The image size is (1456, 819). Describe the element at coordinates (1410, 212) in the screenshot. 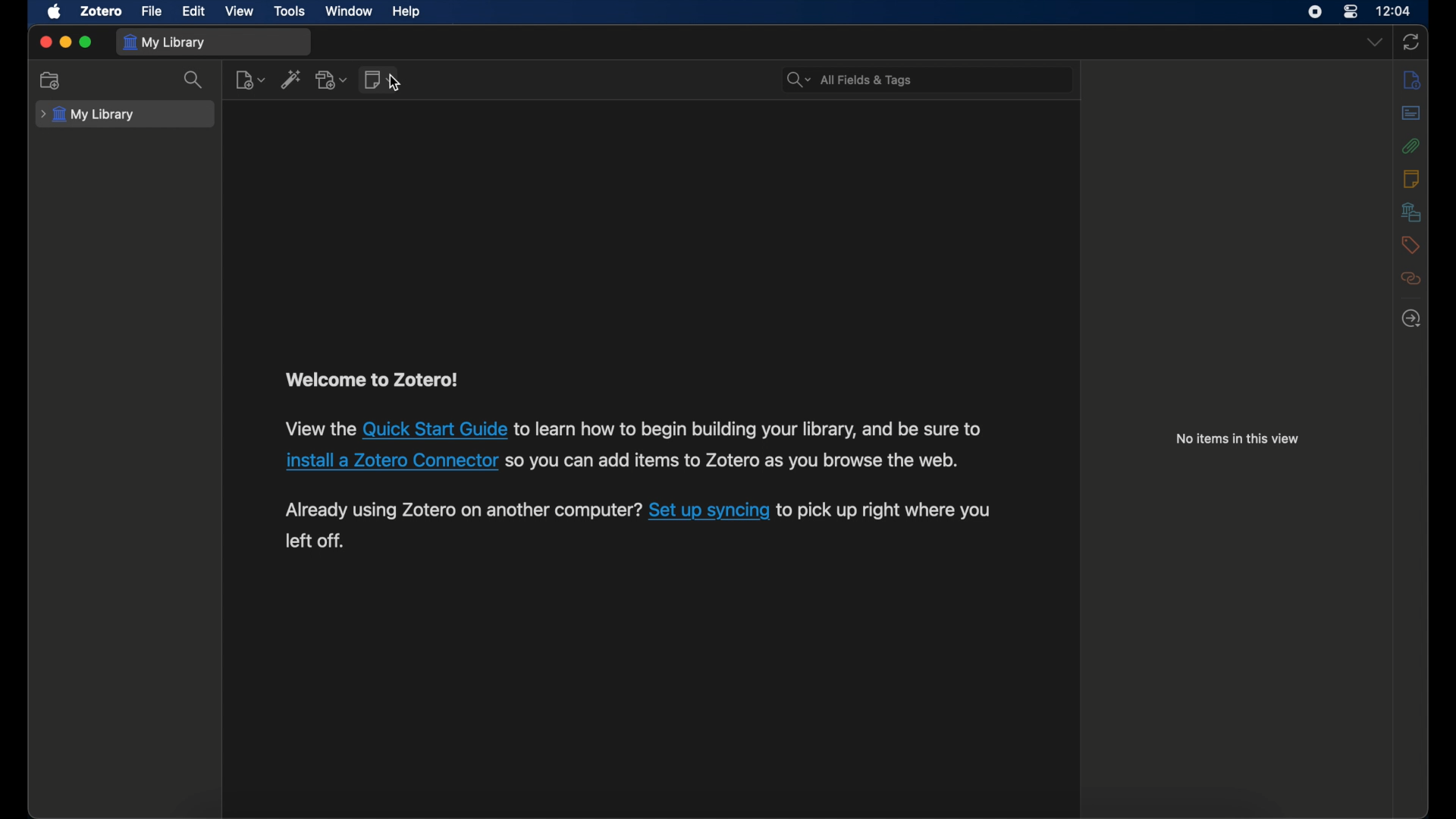

I see `libraries` at that location.